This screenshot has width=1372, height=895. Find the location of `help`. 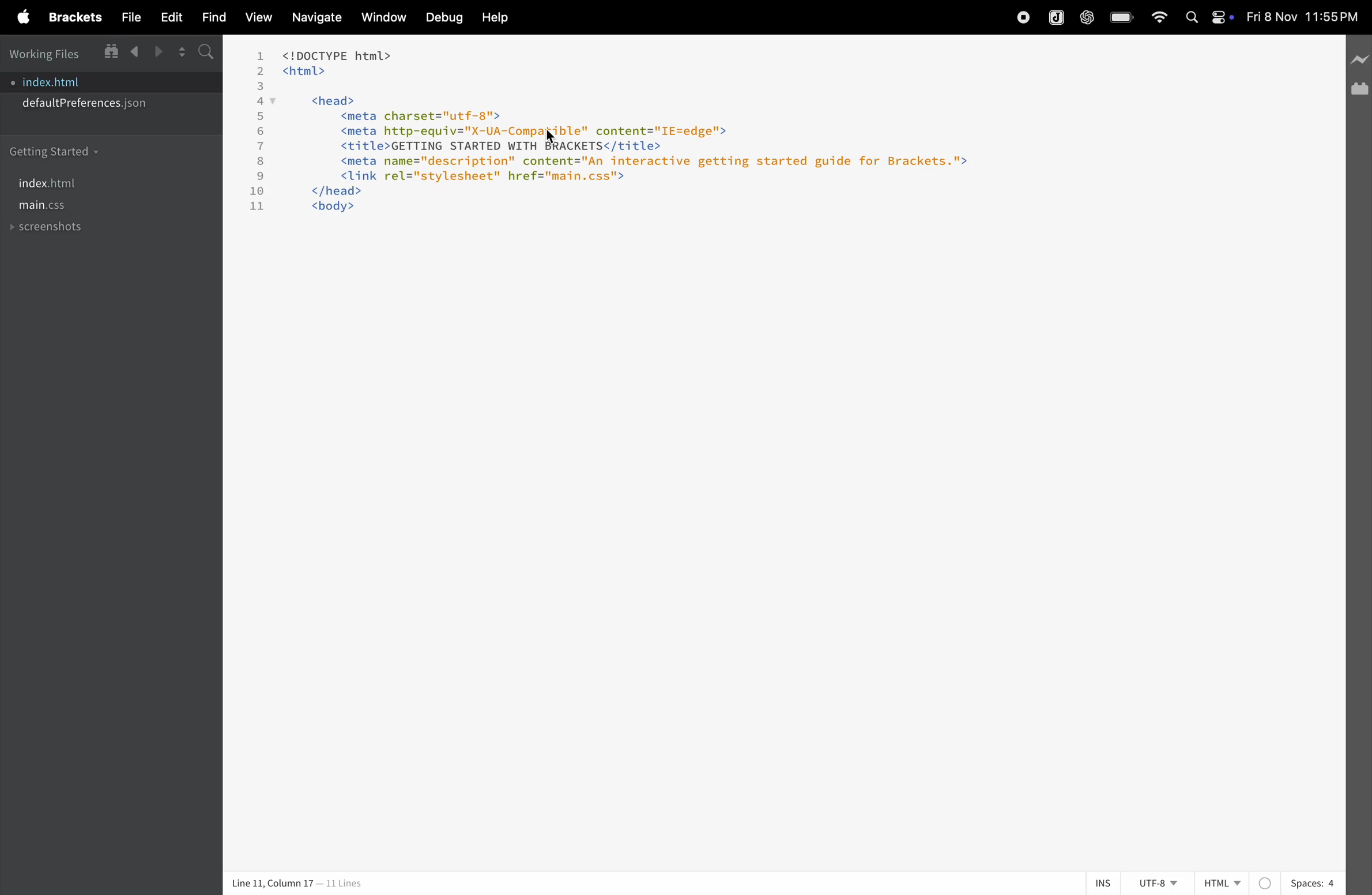

help is located at coordinates (495, 18).